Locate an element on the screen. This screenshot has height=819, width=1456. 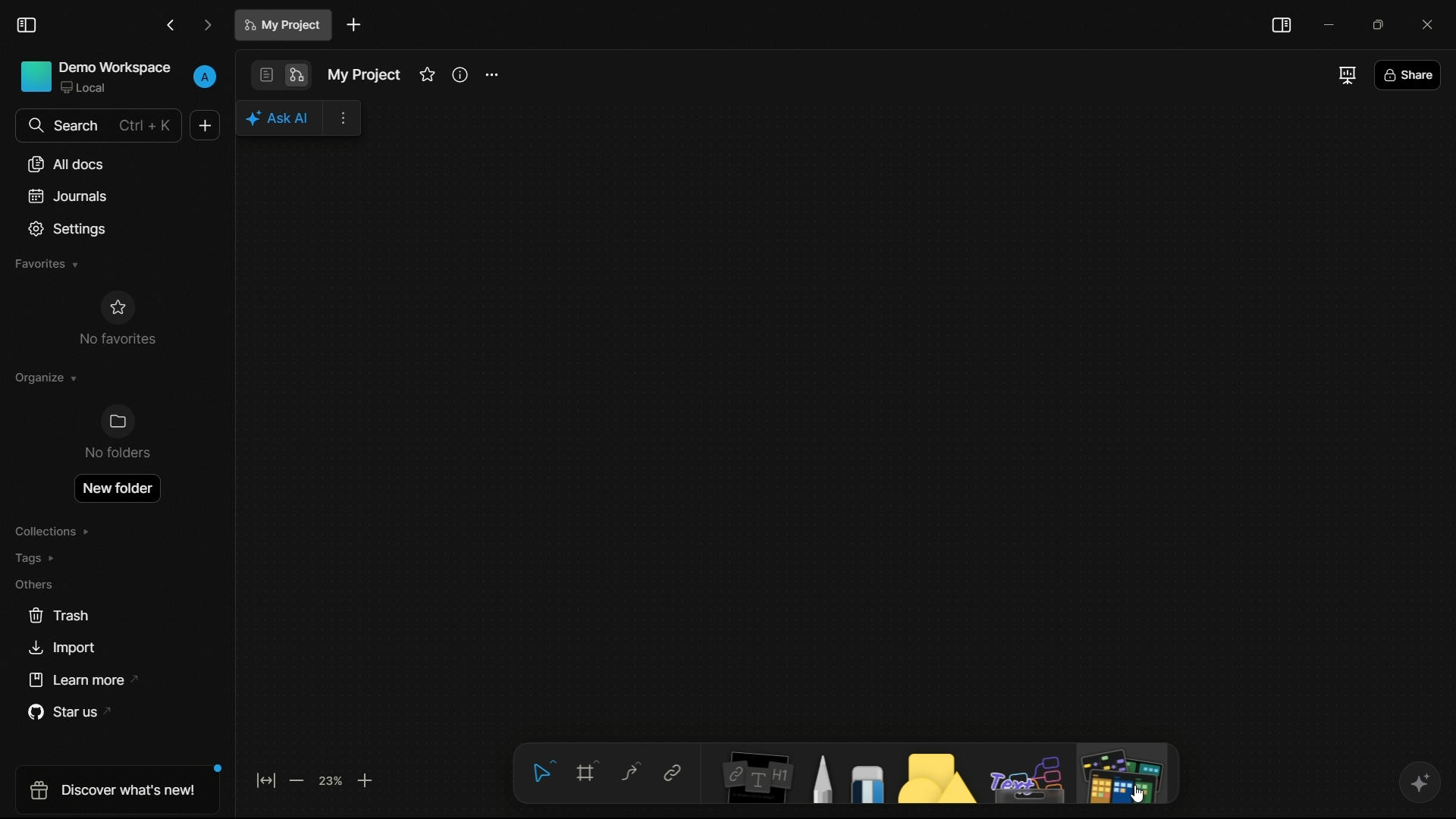
others is located at coordinates (1029, 780).